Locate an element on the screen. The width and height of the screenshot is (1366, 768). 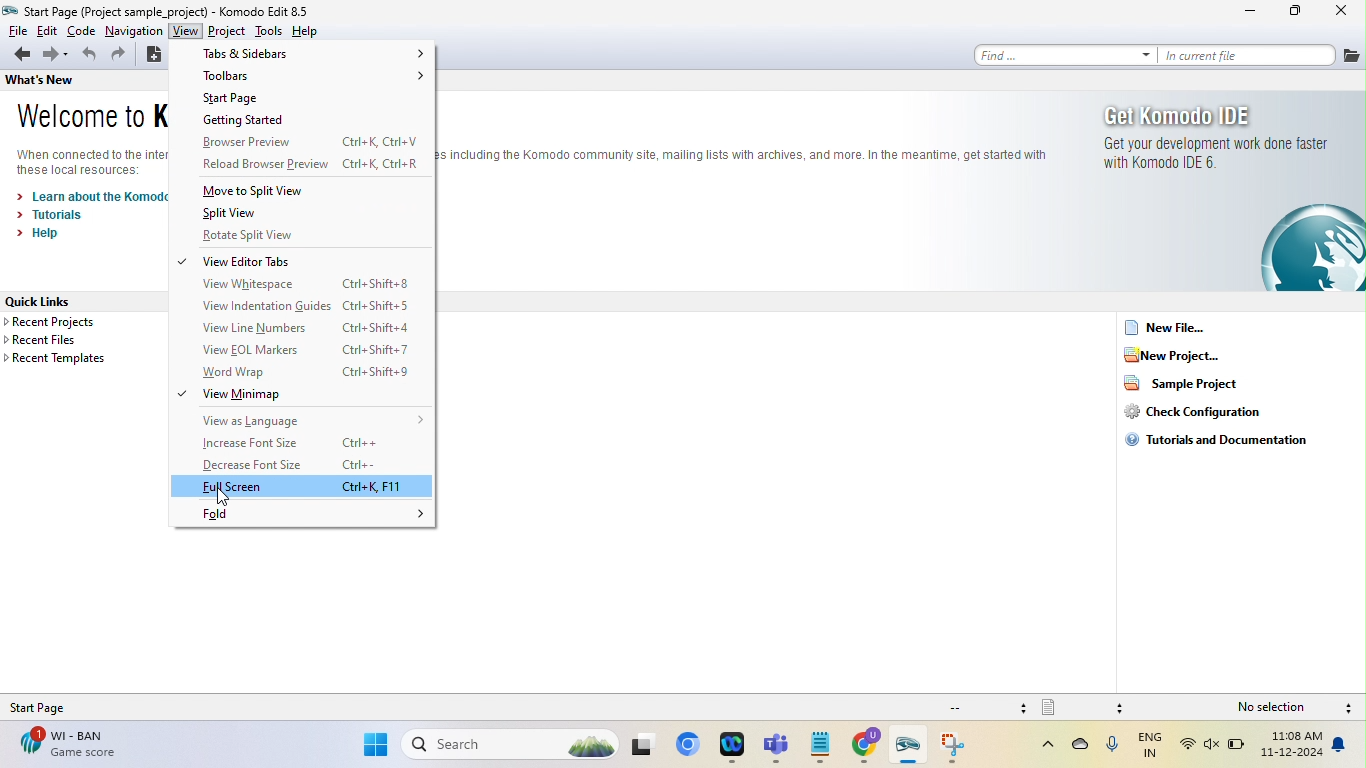
date and time is located at coordinates (1292, 747).